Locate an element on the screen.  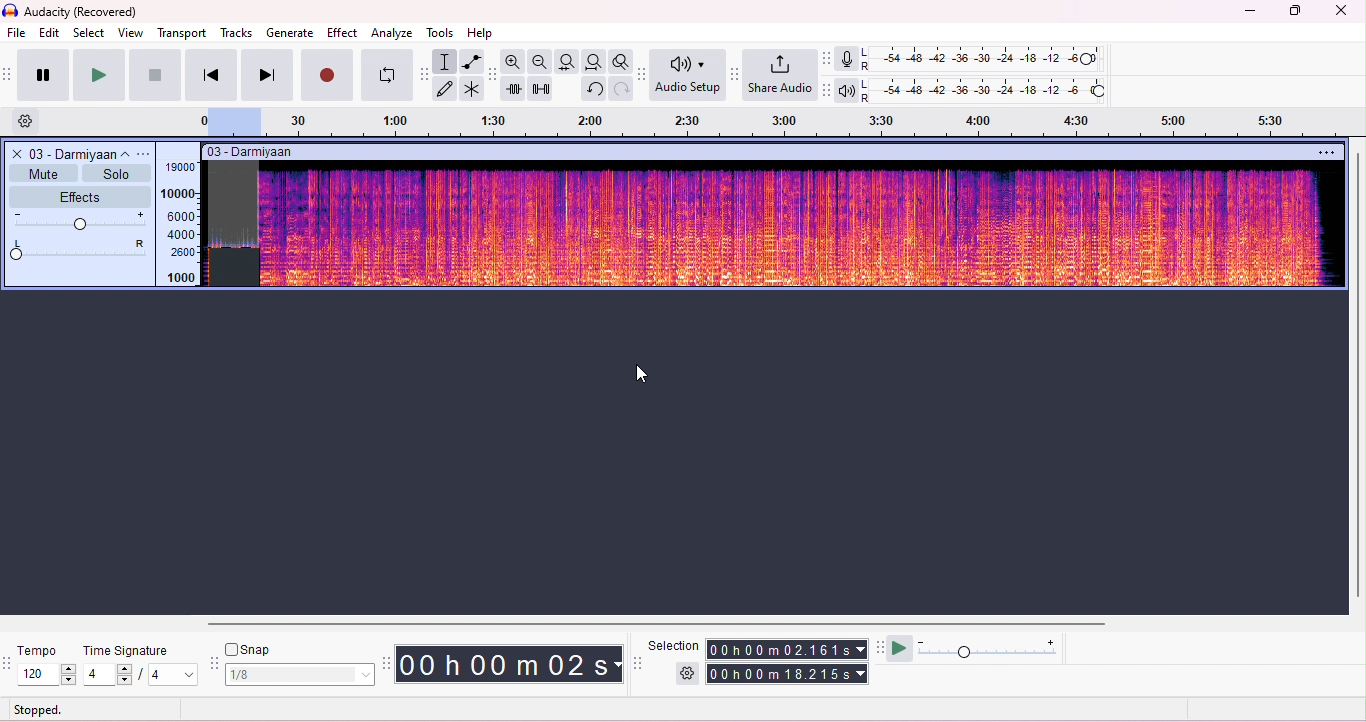
time tool bar is located at coordinates (389, 663).